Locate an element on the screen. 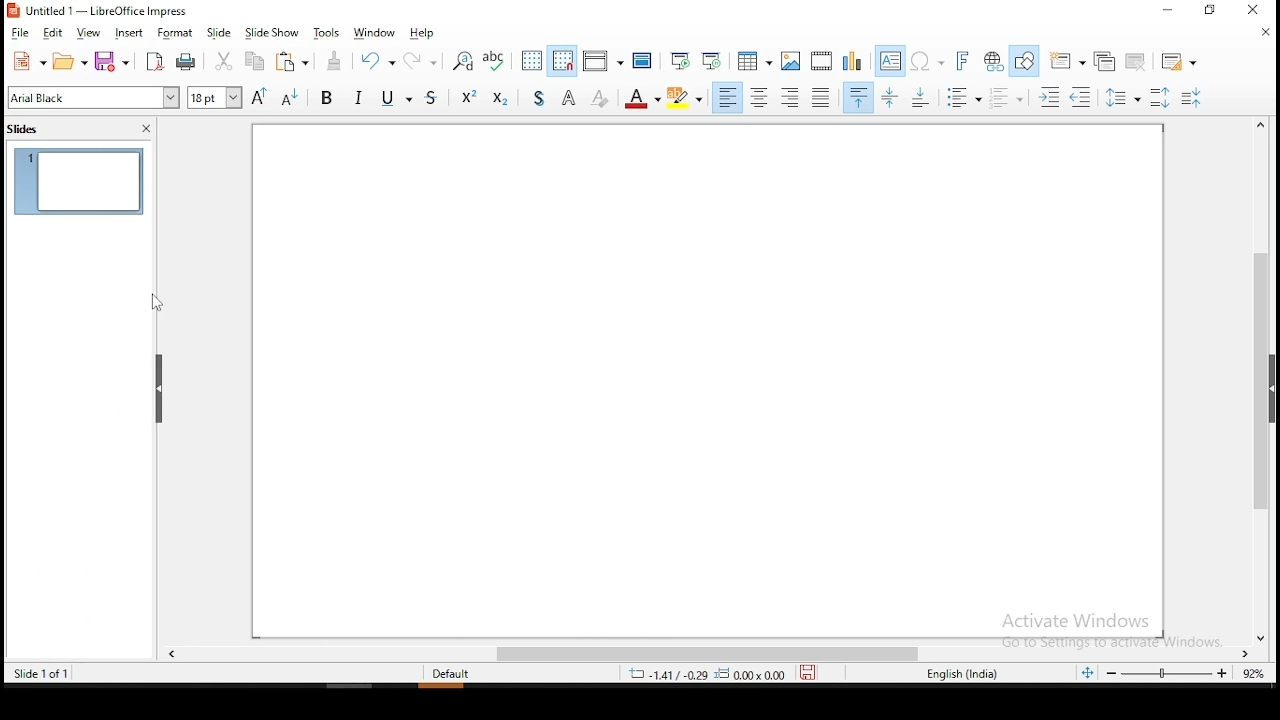  insert is located at coordinates (131, 31).